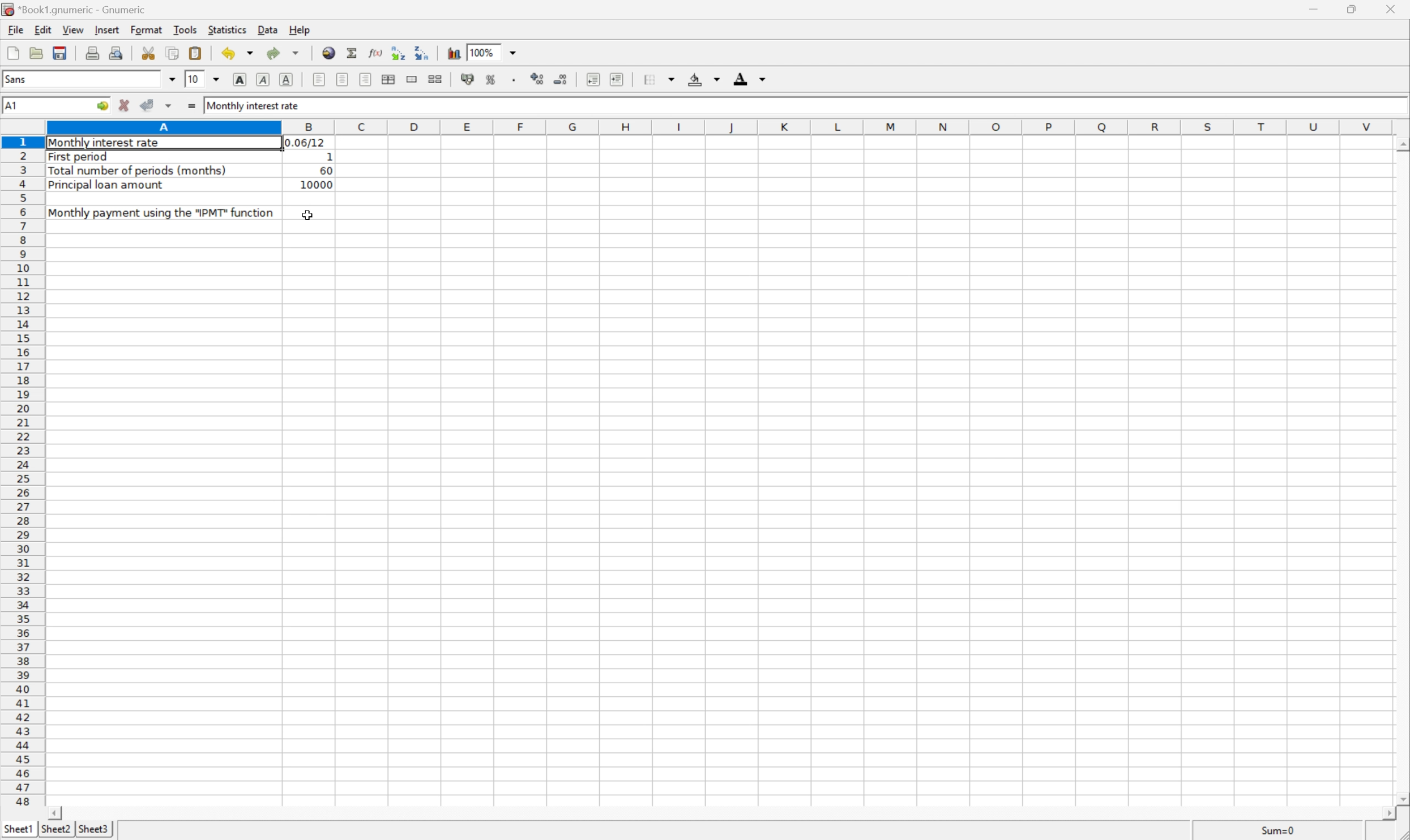 The width and height of the screenshot is (1410, 840). What do you see at coordinates (109, 30) in the screenshot?
I see `Insert` at bounding box center [109, 30].